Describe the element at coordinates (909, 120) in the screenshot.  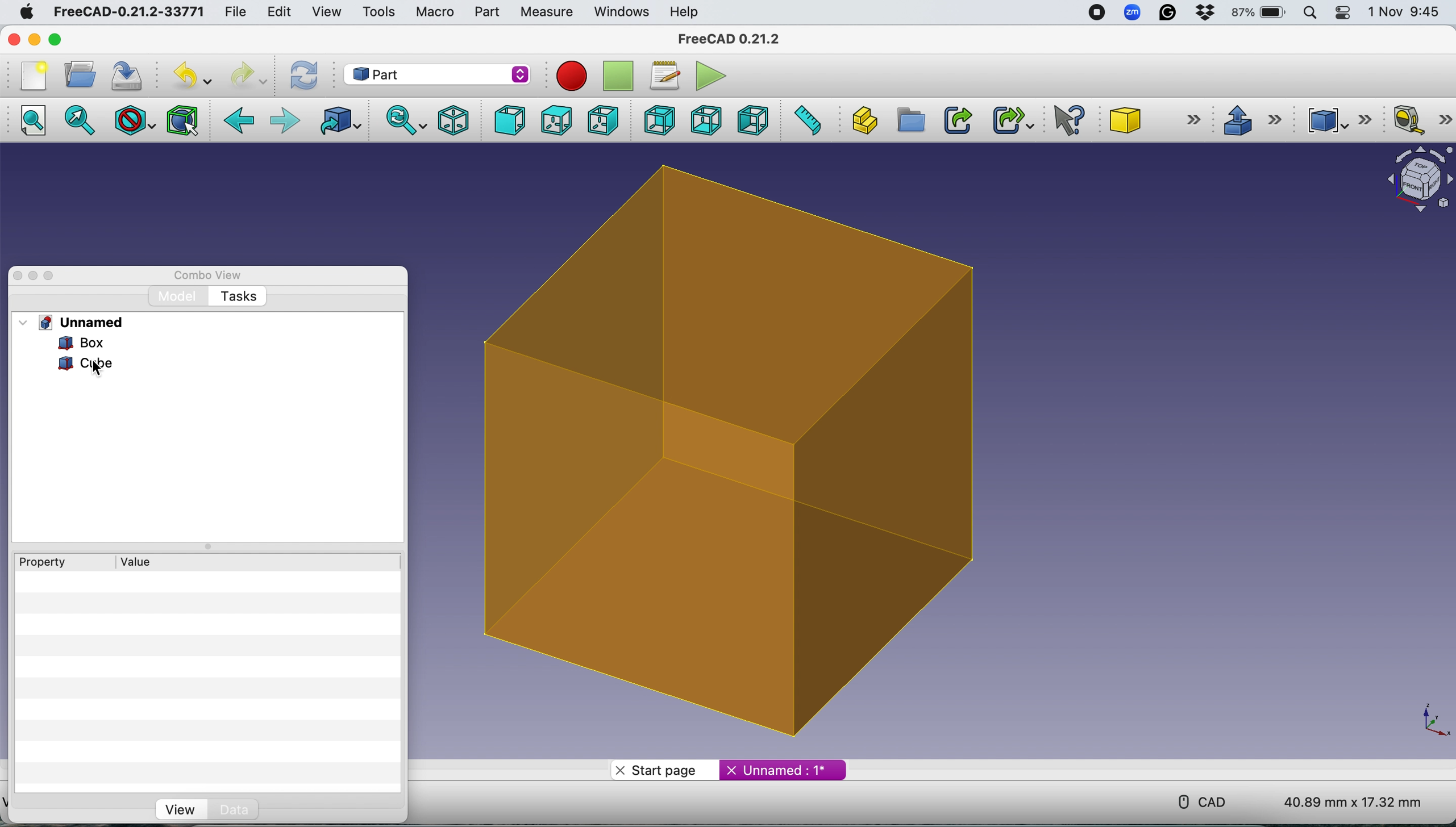
I see `Create group` at that location.